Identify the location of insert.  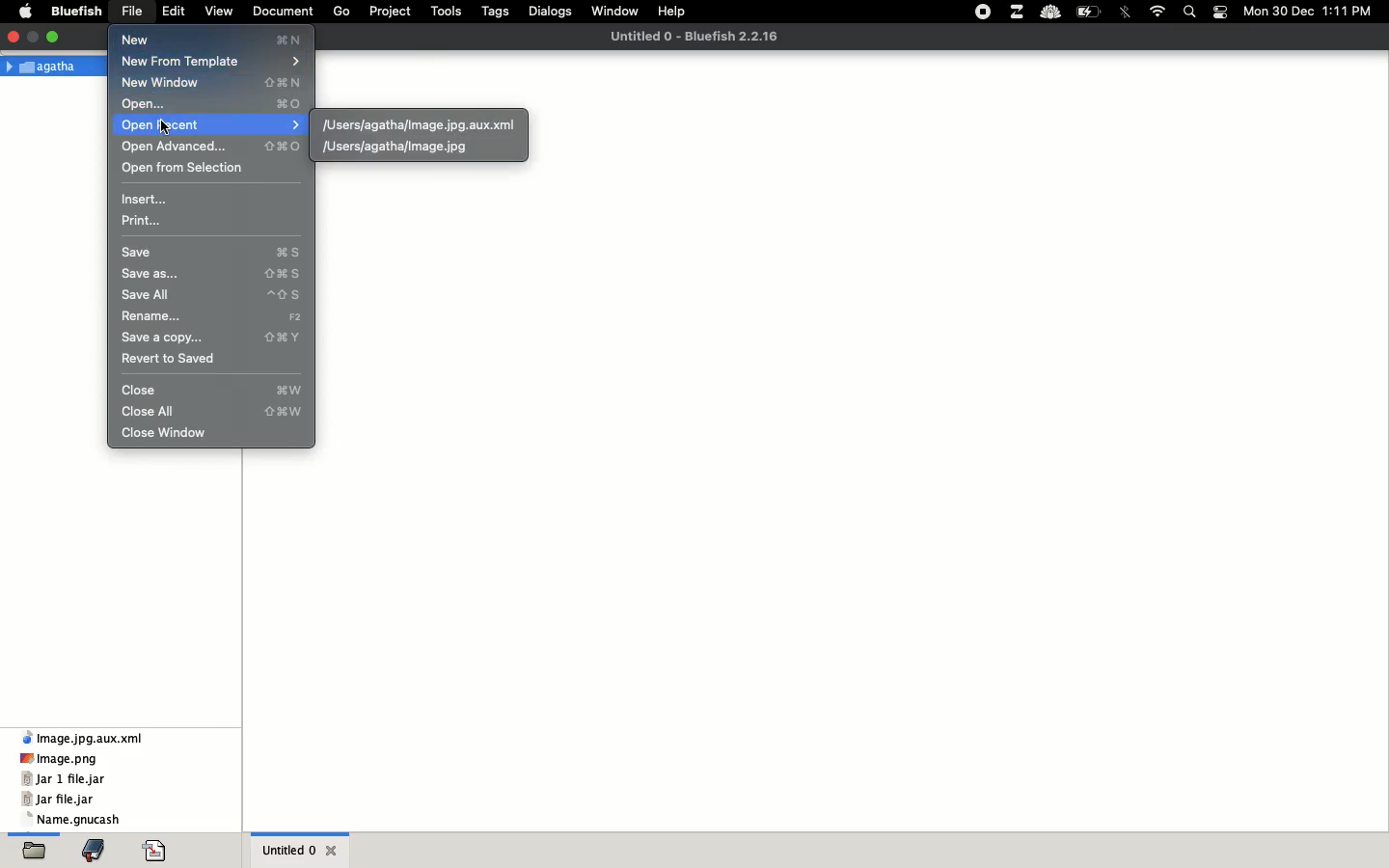
(146, 198).